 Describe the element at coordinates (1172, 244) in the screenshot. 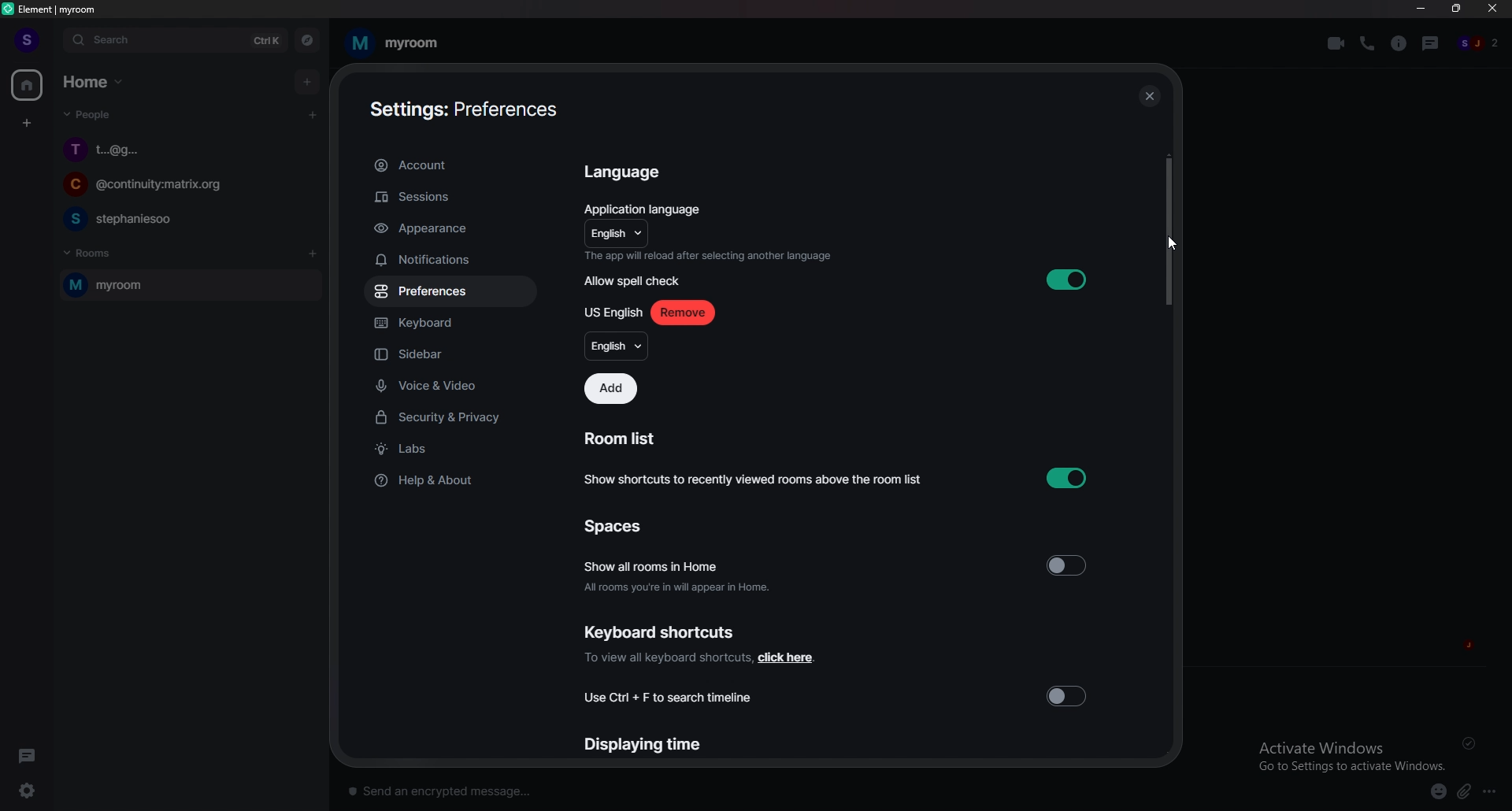

I see `` at that location.